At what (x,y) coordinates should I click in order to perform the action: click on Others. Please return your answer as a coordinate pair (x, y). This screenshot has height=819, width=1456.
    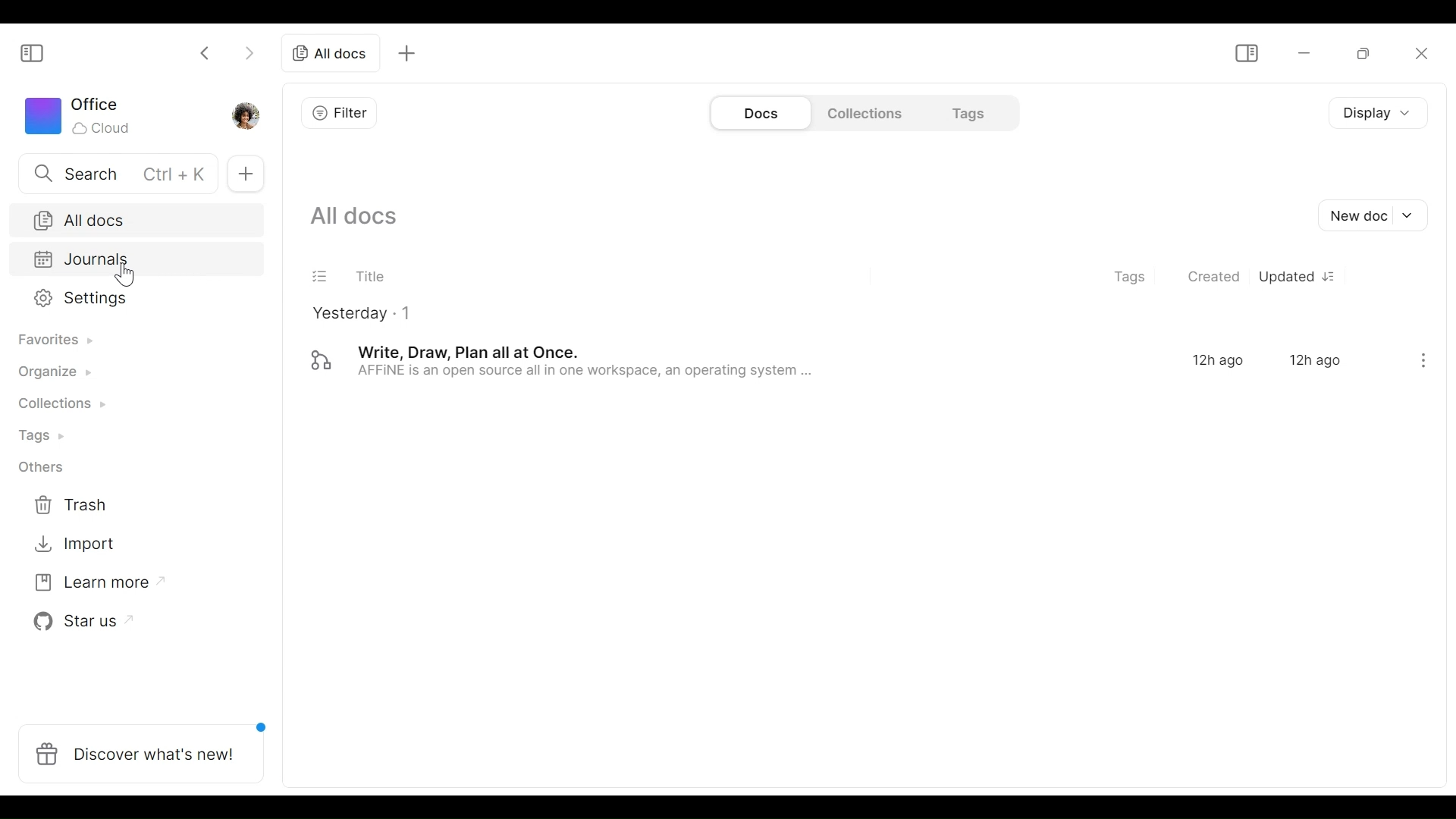
    Looking at the image, I should click on (42, 467).